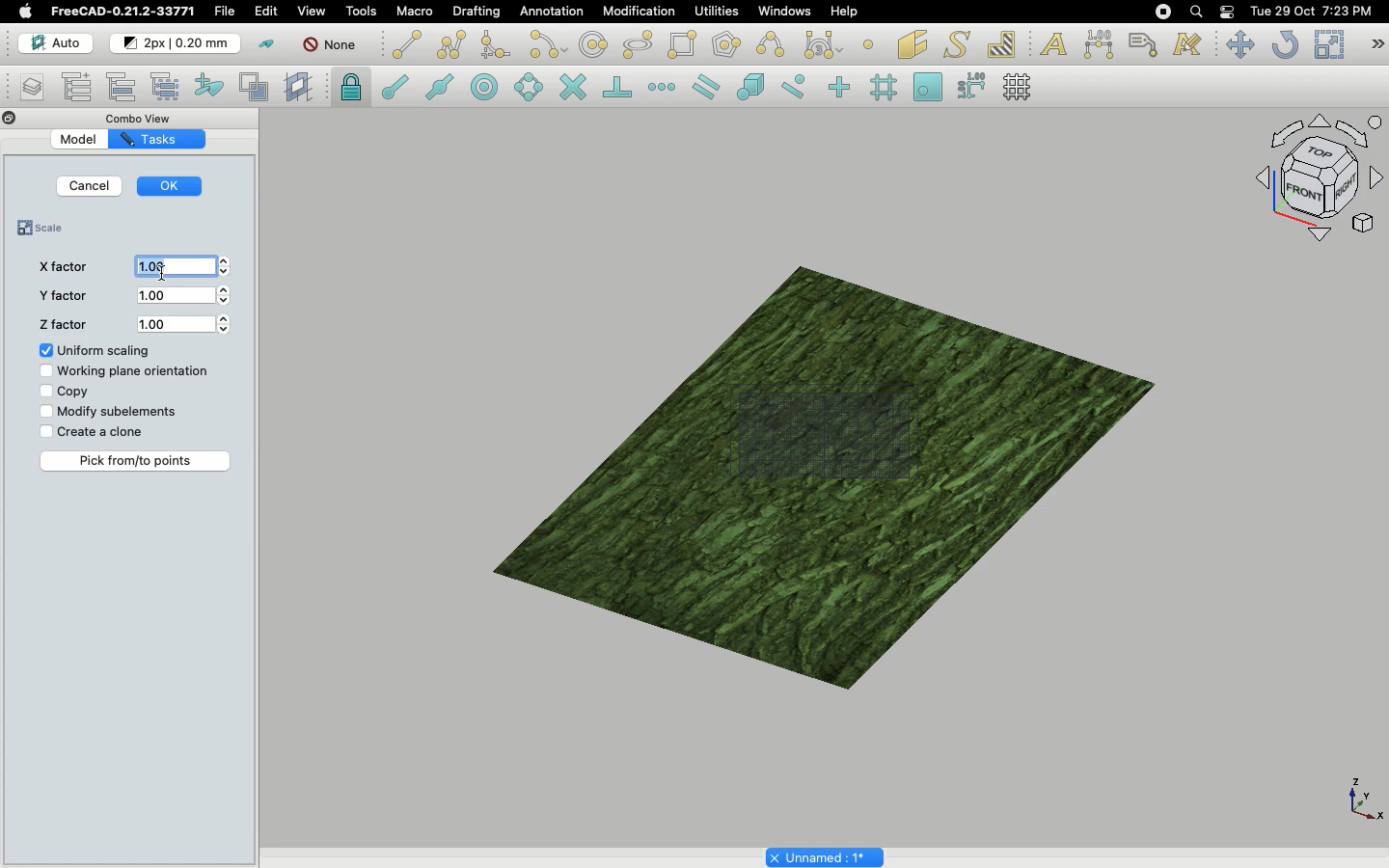 The width and height of the screenshot is (1389, 868). I want to click on Manage layers, so click(25, 88).